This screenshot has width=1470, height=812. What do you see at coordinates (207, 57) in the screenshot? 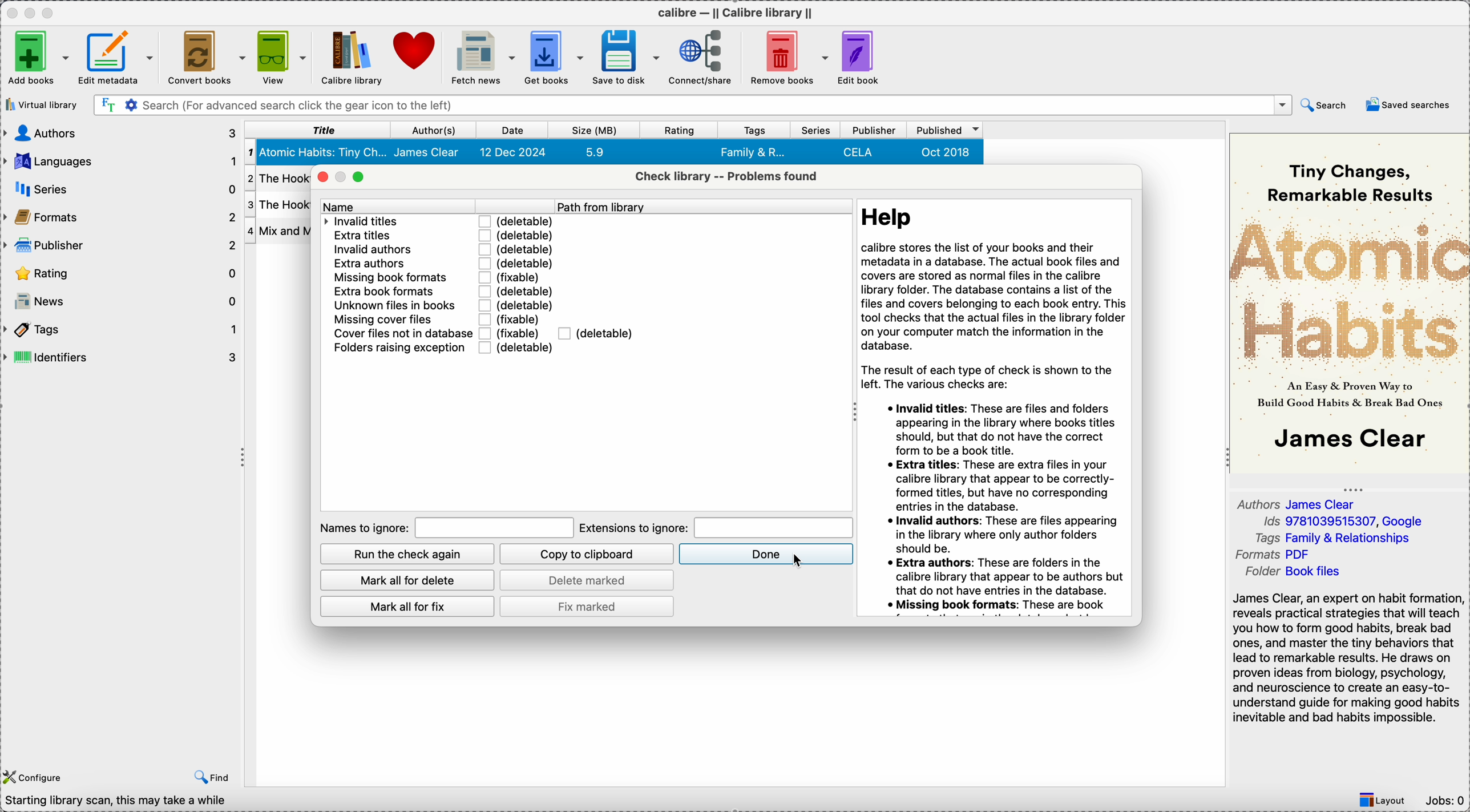
I see `convert books` at bounding box center [207, 57].